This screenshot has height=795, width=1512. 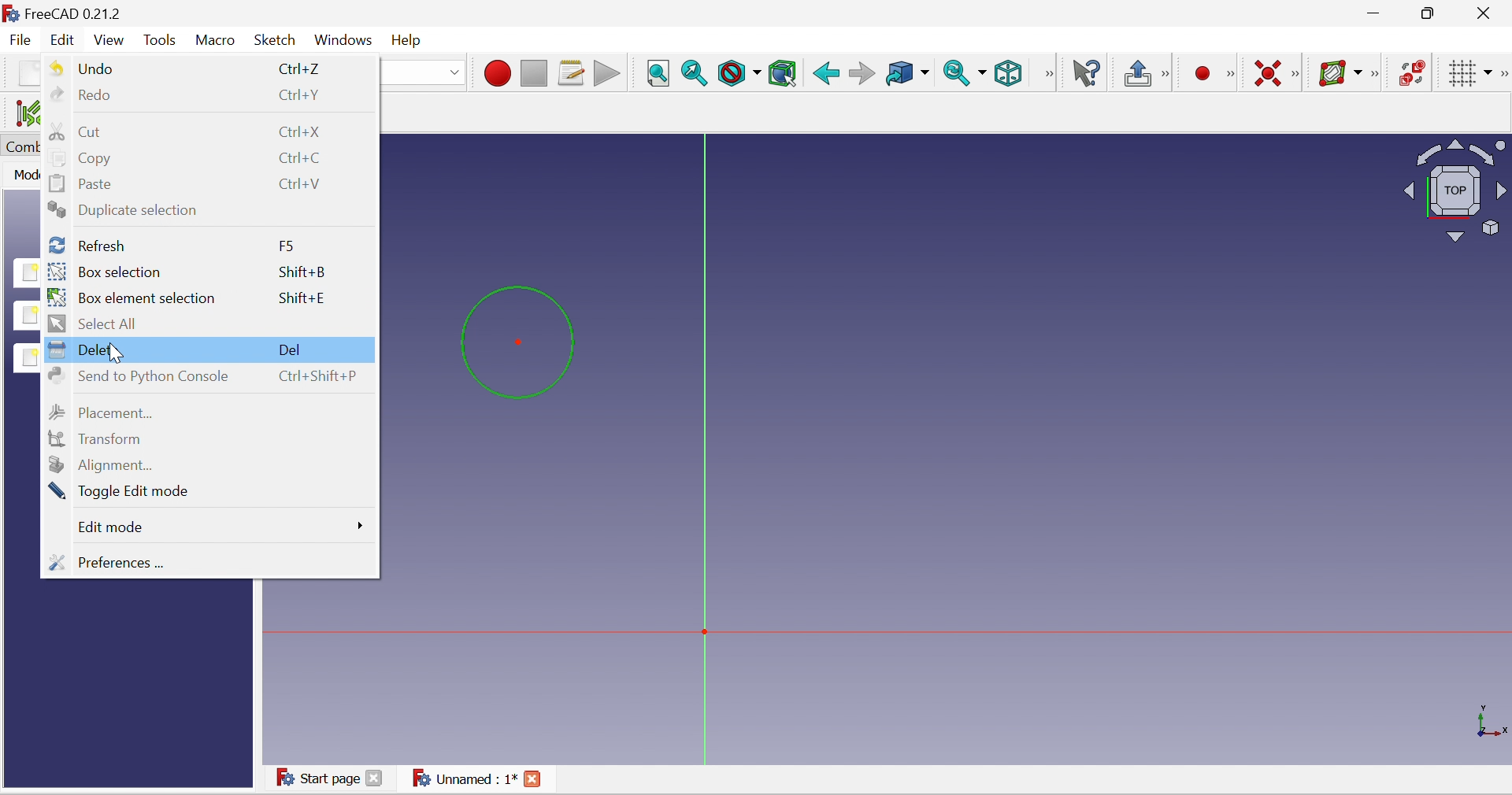 I want to click on Stop macro recording, so click(x=532, y=73).